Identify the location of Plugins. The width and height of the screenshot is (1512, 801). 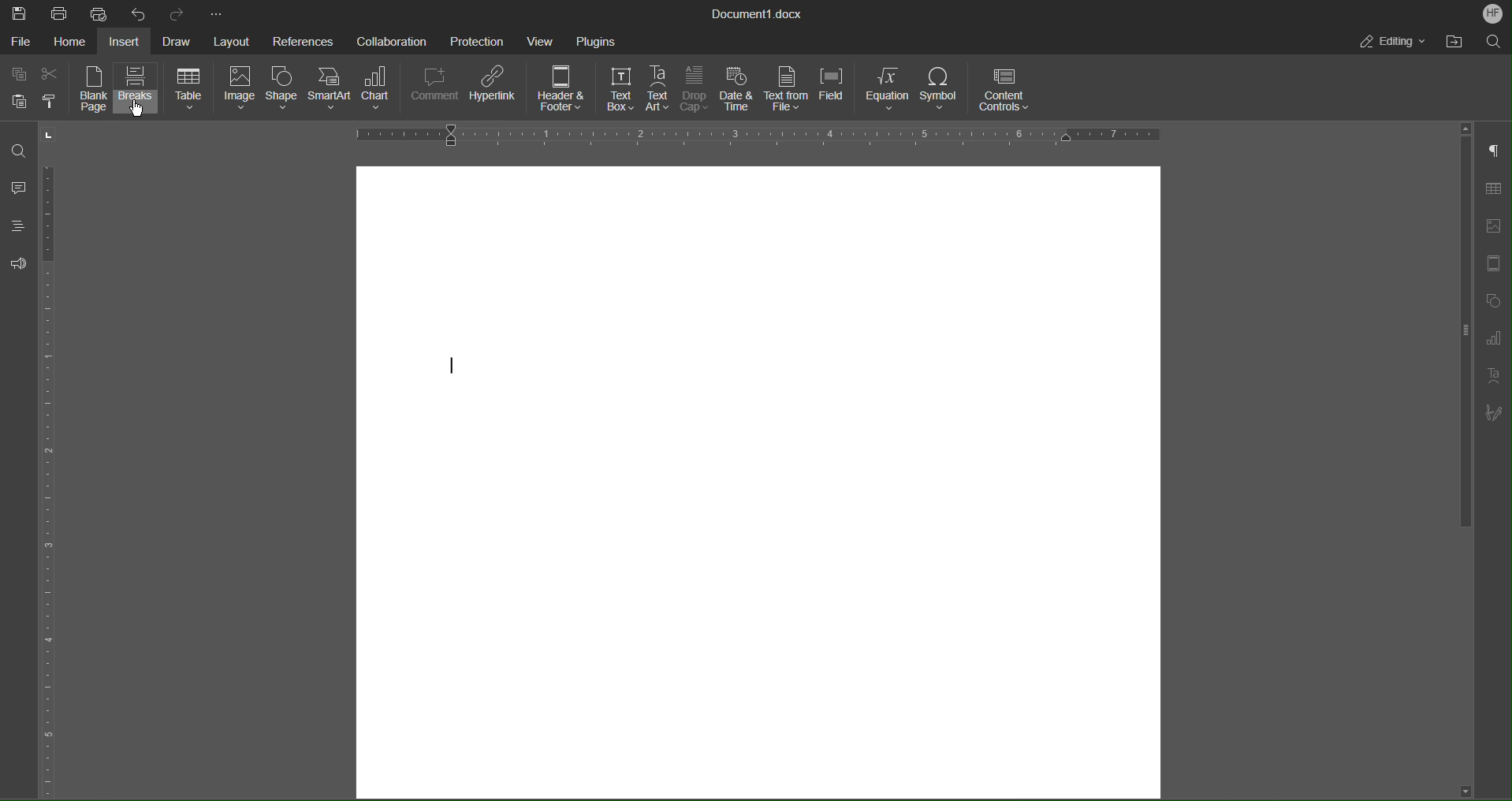
(599, 39).